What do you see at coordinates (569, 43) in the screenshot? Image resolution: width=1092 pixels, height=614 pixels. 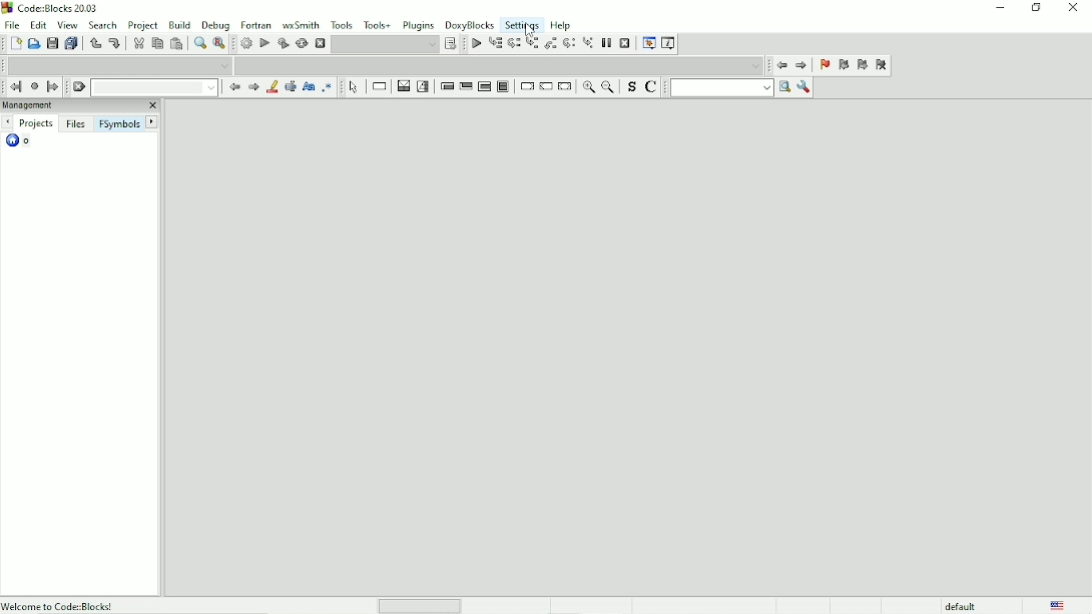 I see `Next instruction` at bounding box center [569, 43].